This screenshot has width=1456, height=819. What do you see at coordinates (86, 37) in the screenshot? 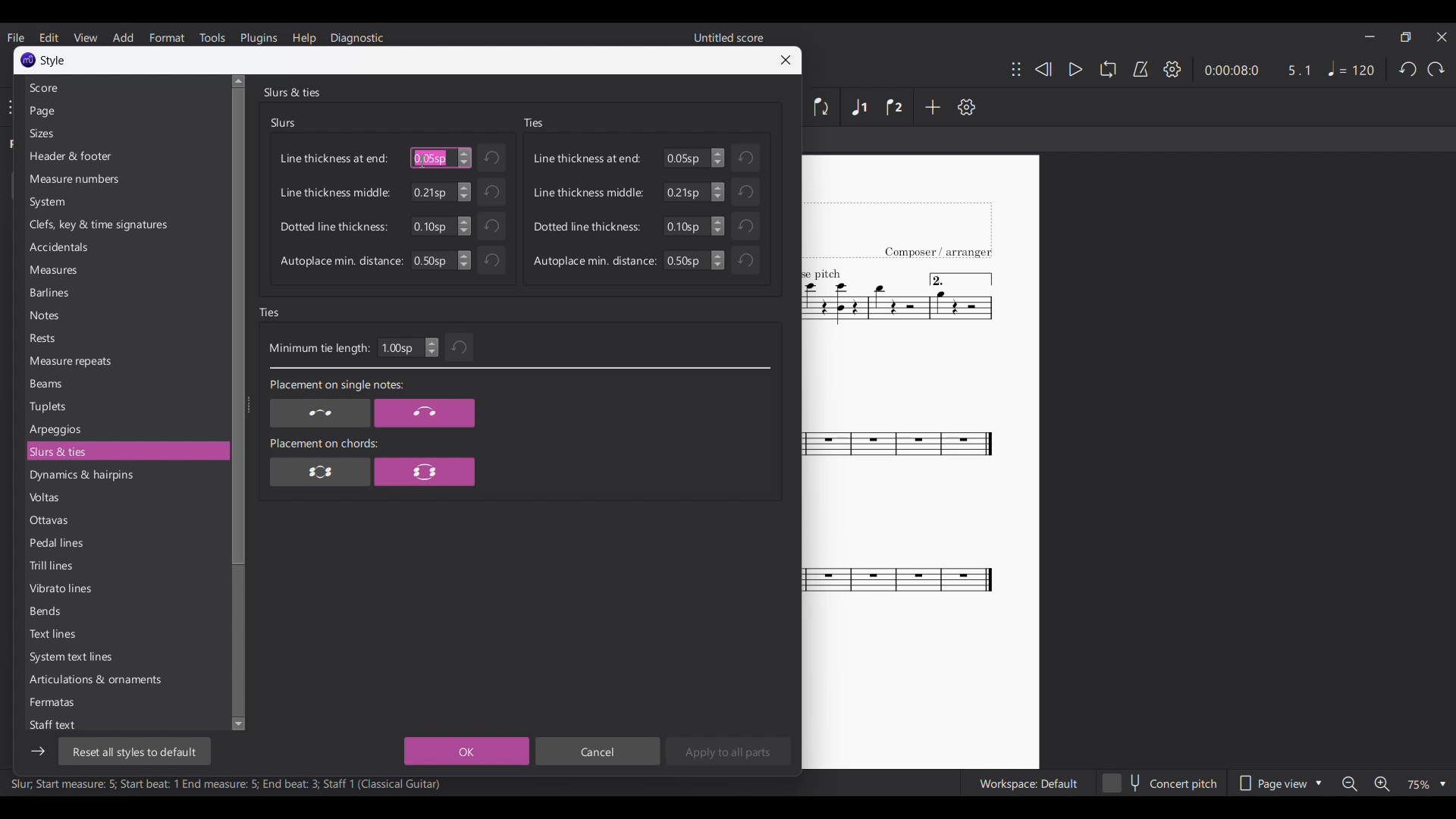
I see `View menu` at bounding box center [86, 37].